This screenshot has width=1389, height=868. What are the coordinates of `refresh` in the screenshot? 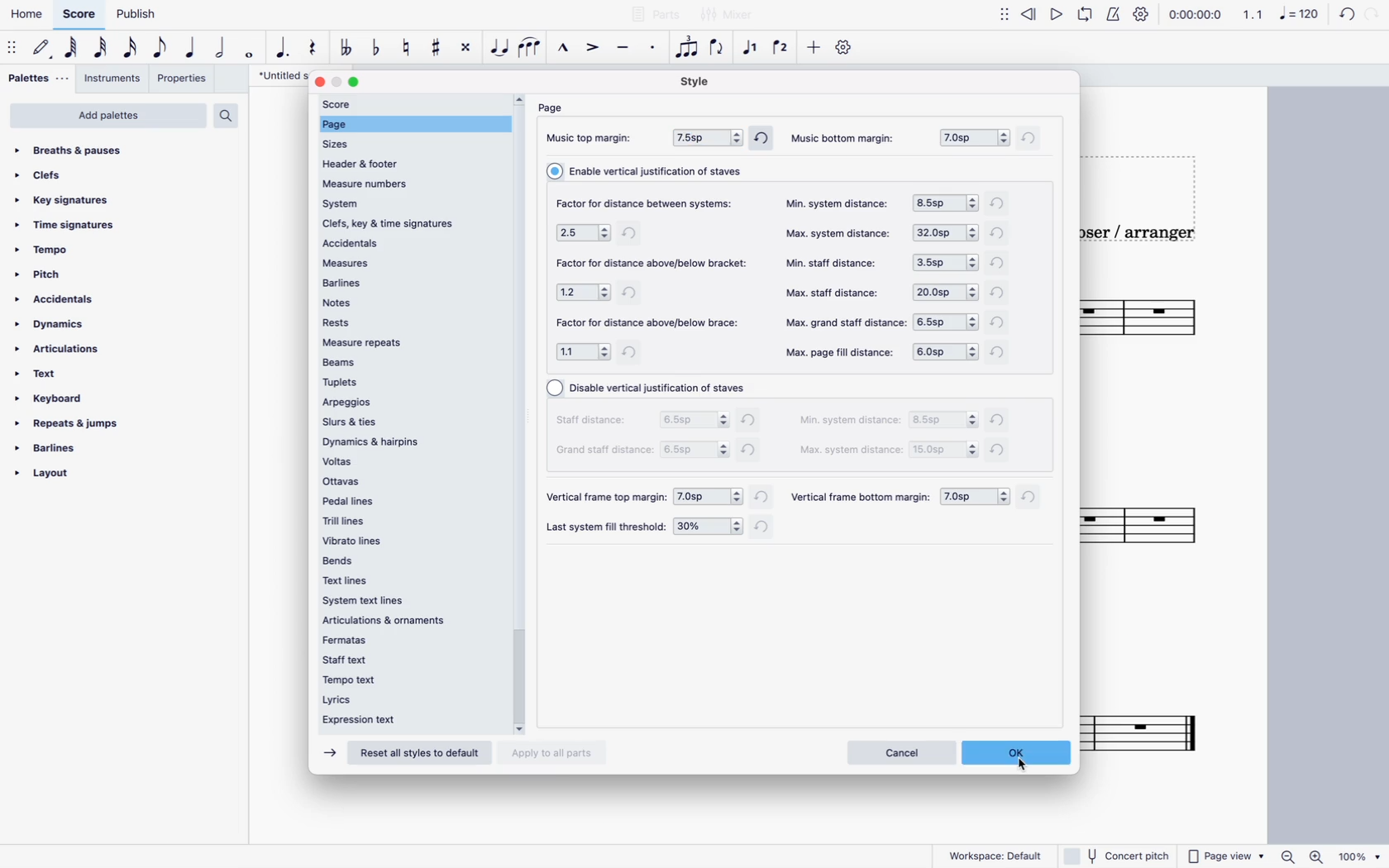 It's located at (1033, 499).